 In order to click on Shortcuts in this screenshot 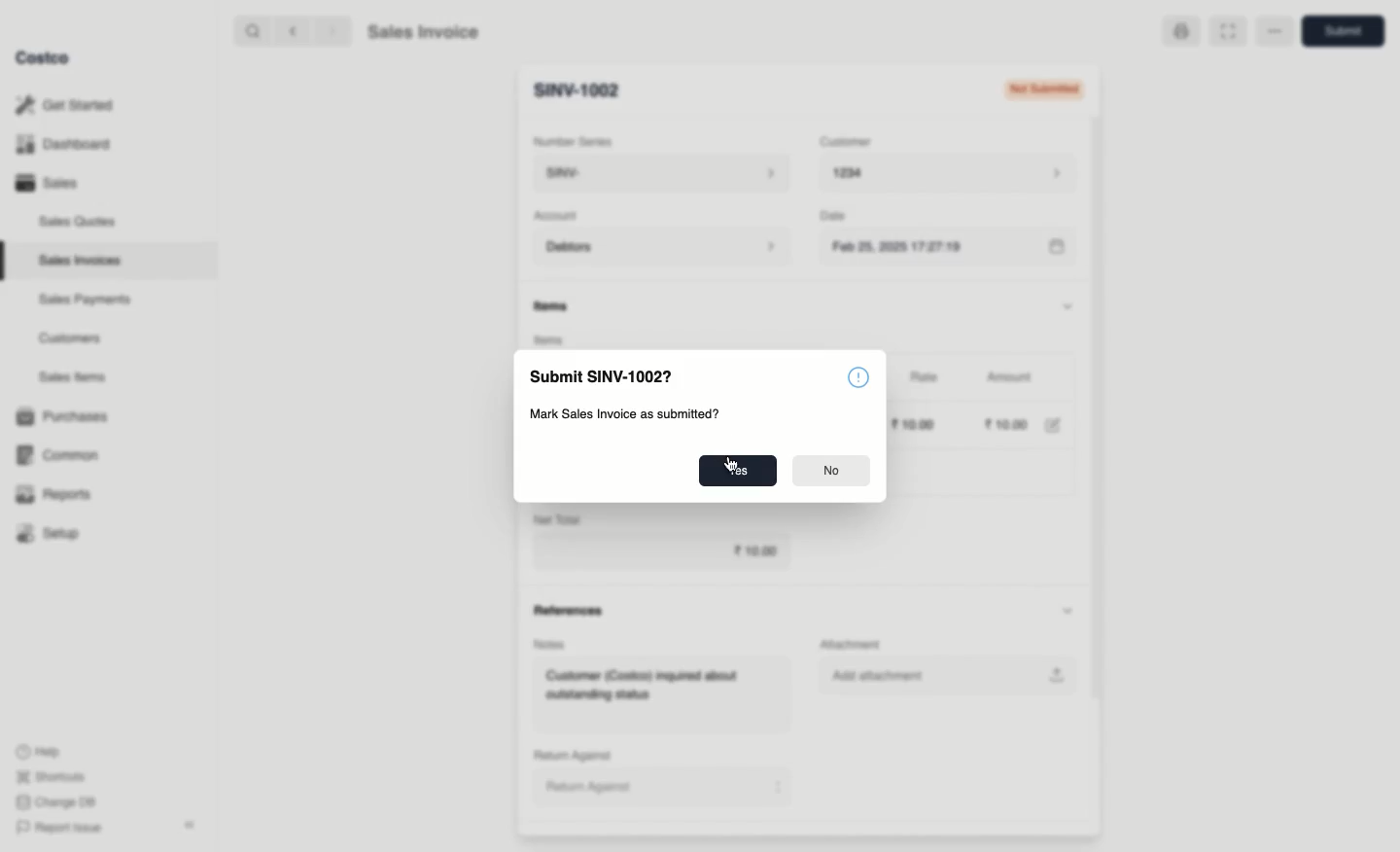, I will do `click(52, 775)`.